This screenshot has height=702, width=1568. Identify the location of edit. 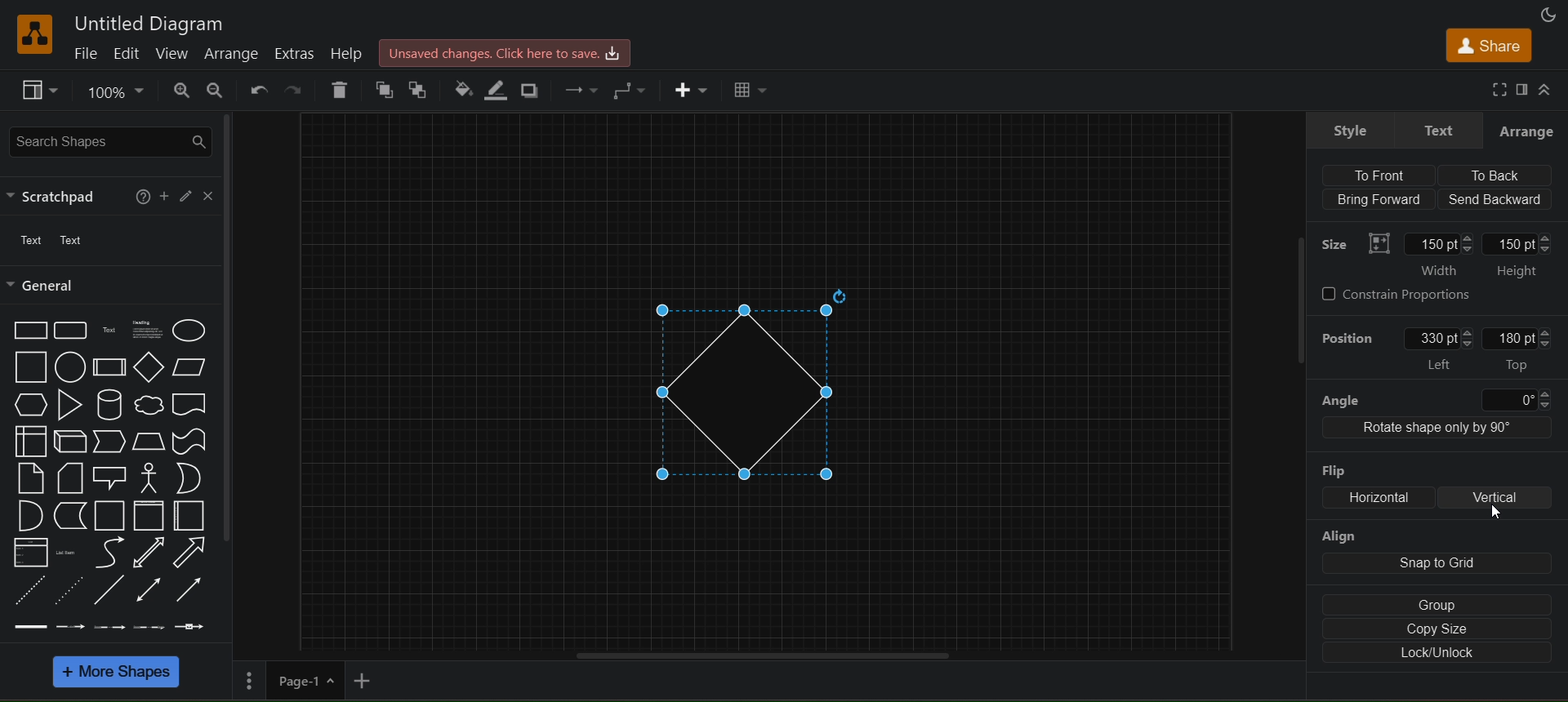
(189, 193).